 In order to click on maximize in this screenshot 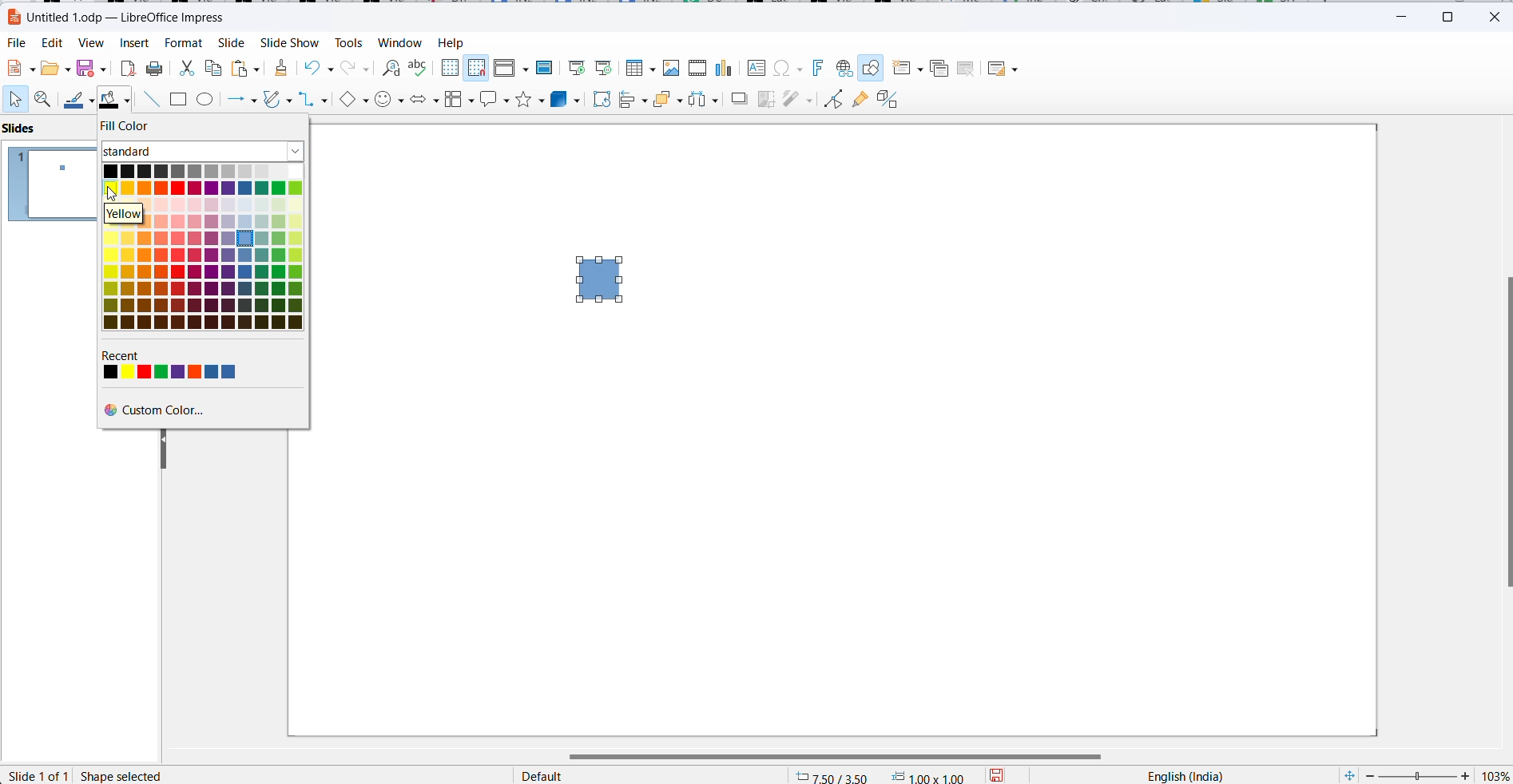, I will do `click(1453, 15)`.